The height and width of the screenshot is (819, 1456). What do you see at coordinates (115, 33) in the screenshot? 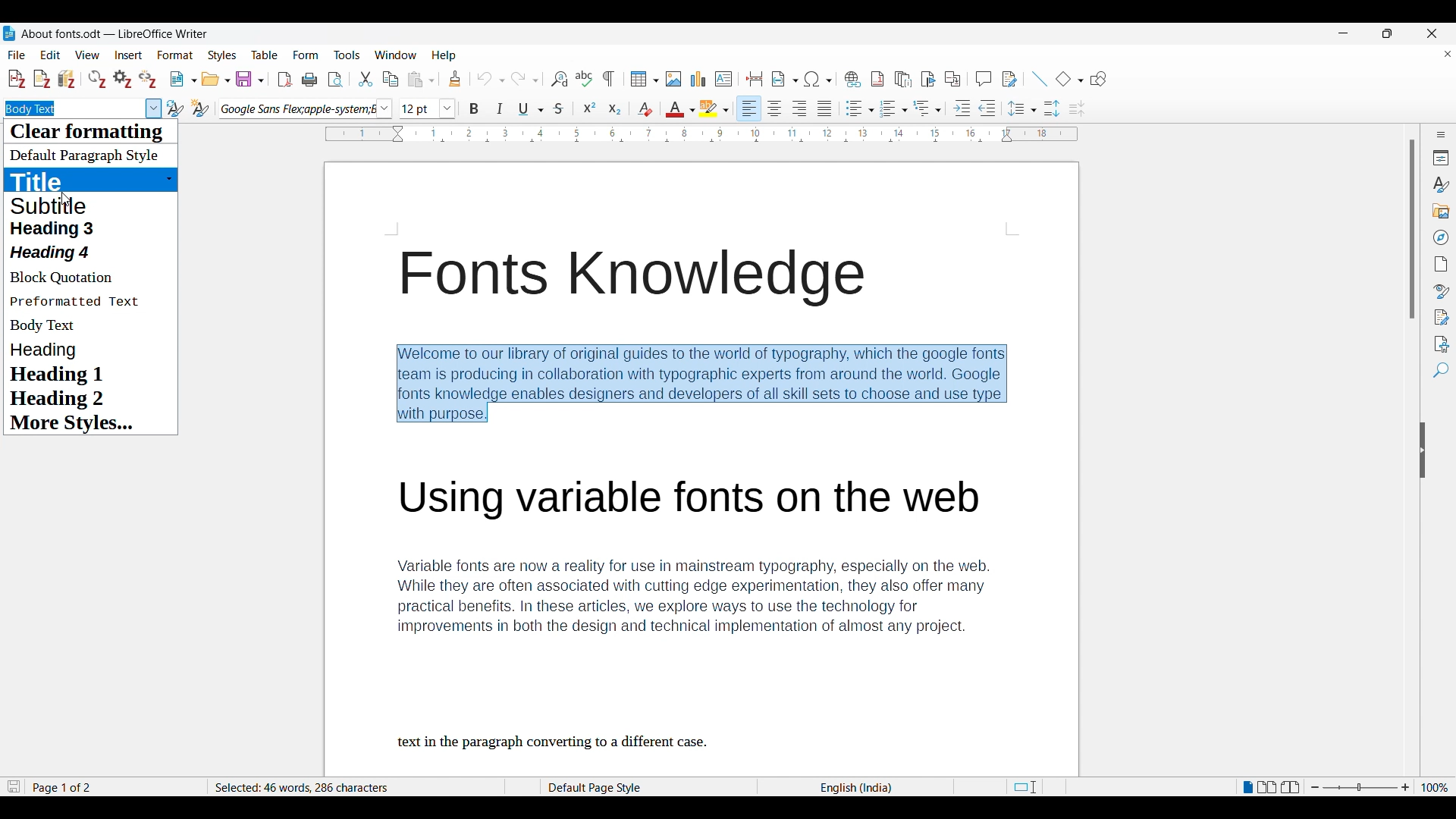
I see `About fonts.odt - LibreOffice Writer` at bounding box center [115, 33].